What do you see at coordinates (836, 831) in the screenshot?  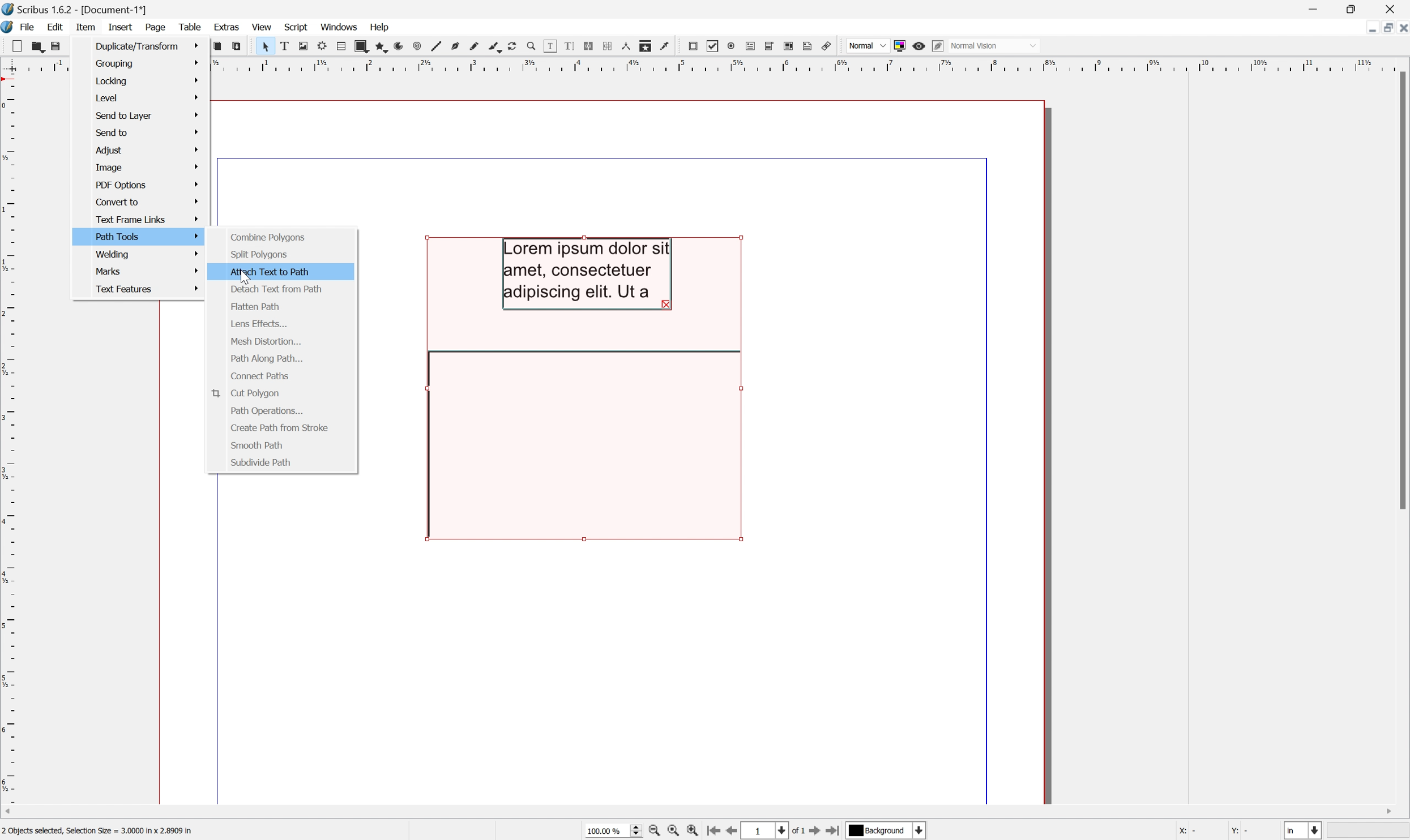 I see `Go to the last page` at bounding box center [836, 831].